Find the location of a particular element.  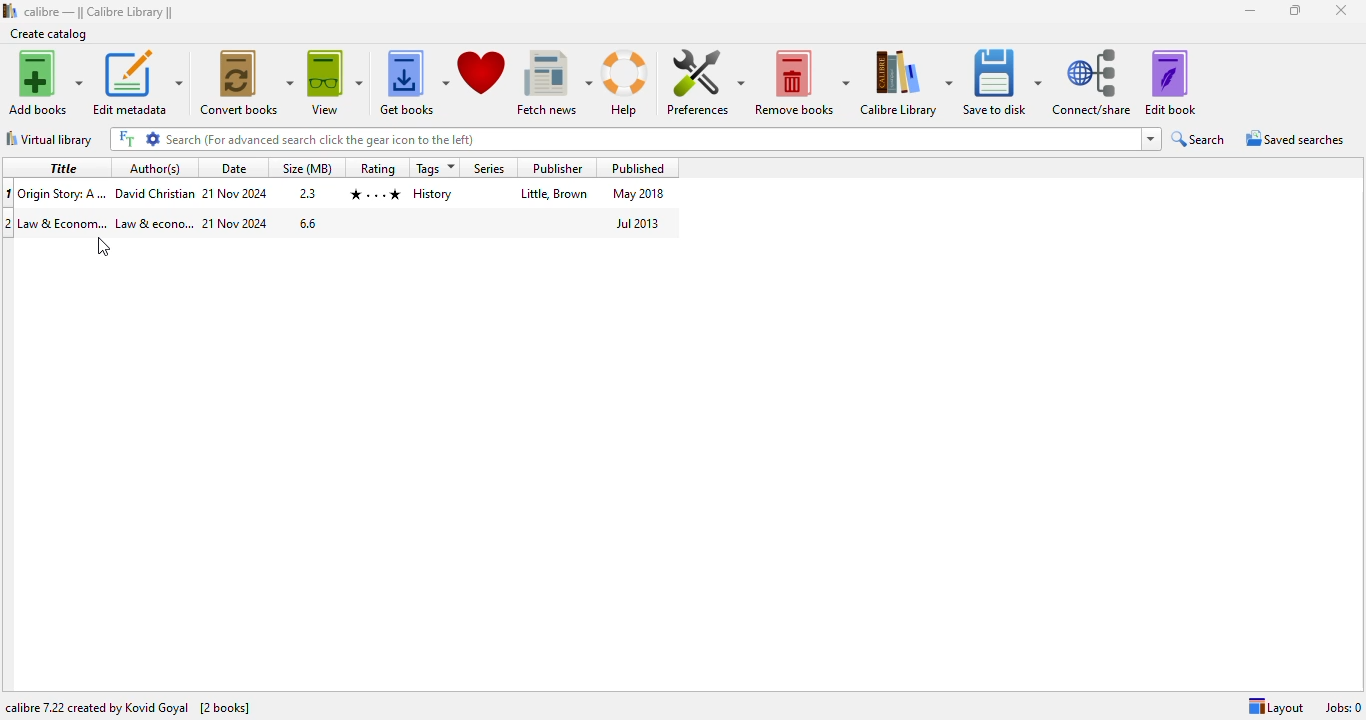

Author is located at coordinates (154, 191).